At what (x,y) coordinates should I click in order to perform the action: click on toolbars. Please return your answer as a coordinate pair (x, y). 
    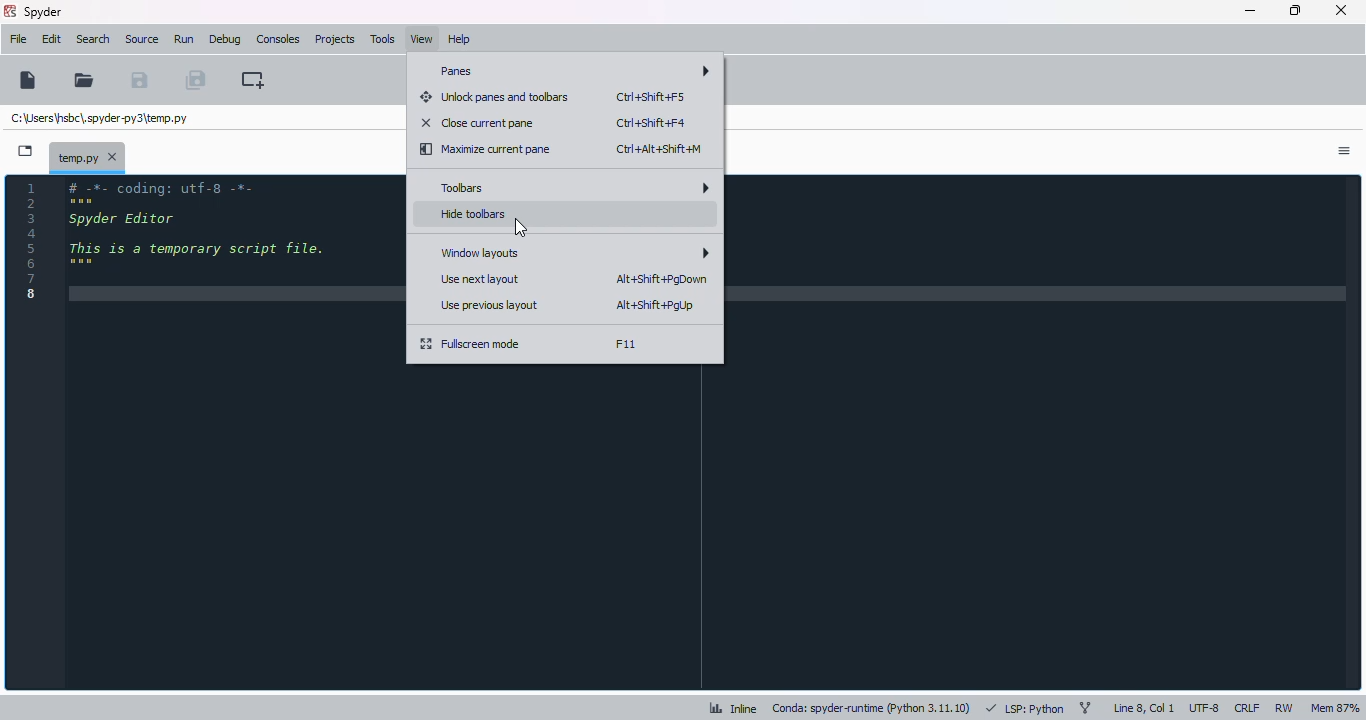
    Looking at the image, I should click on (572, 187).